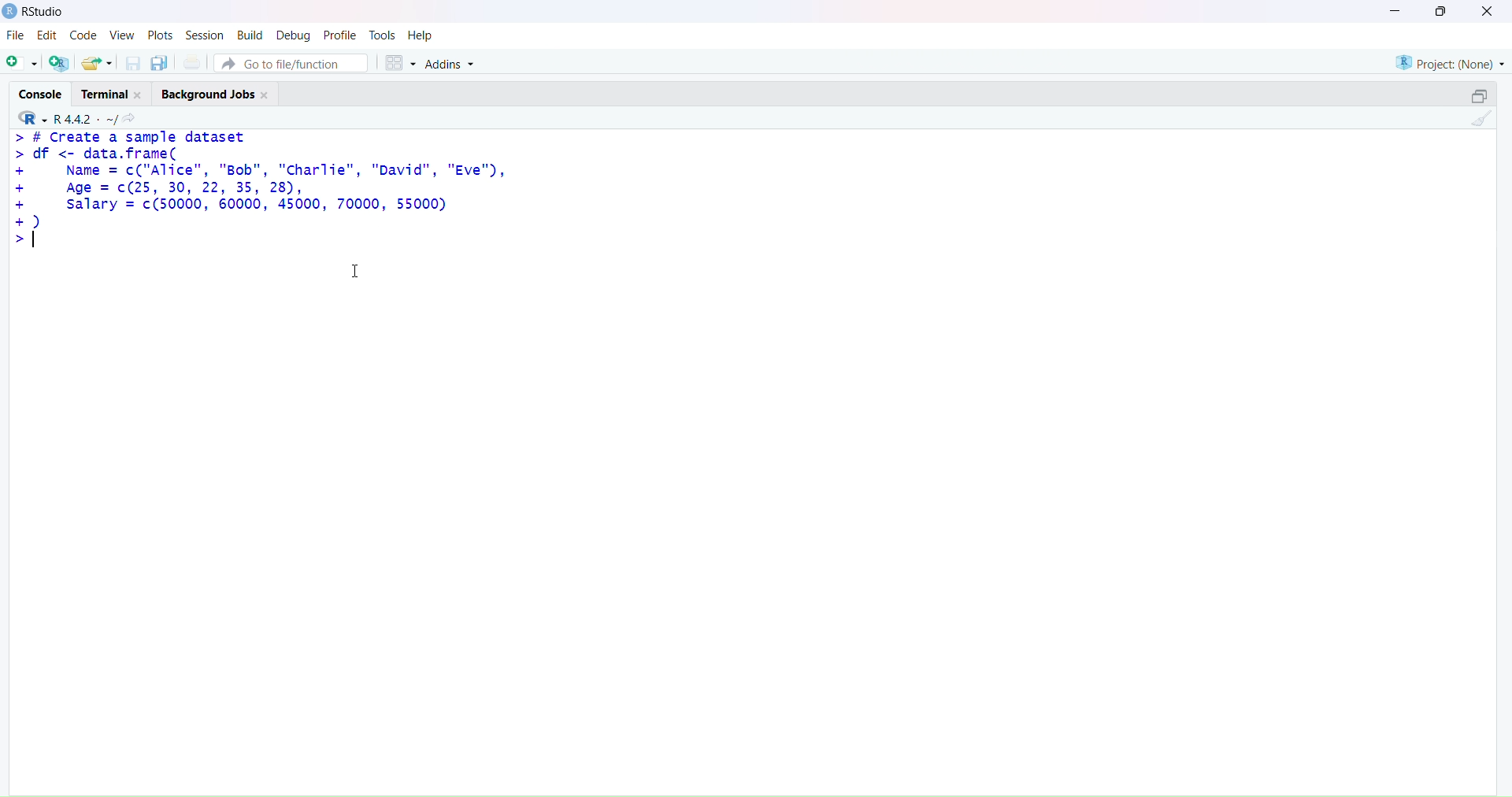 This screenshot has width=1512, height=797. Describe the element at coordinates (113, 95) in the screenshot. I see `terminal` at that location.